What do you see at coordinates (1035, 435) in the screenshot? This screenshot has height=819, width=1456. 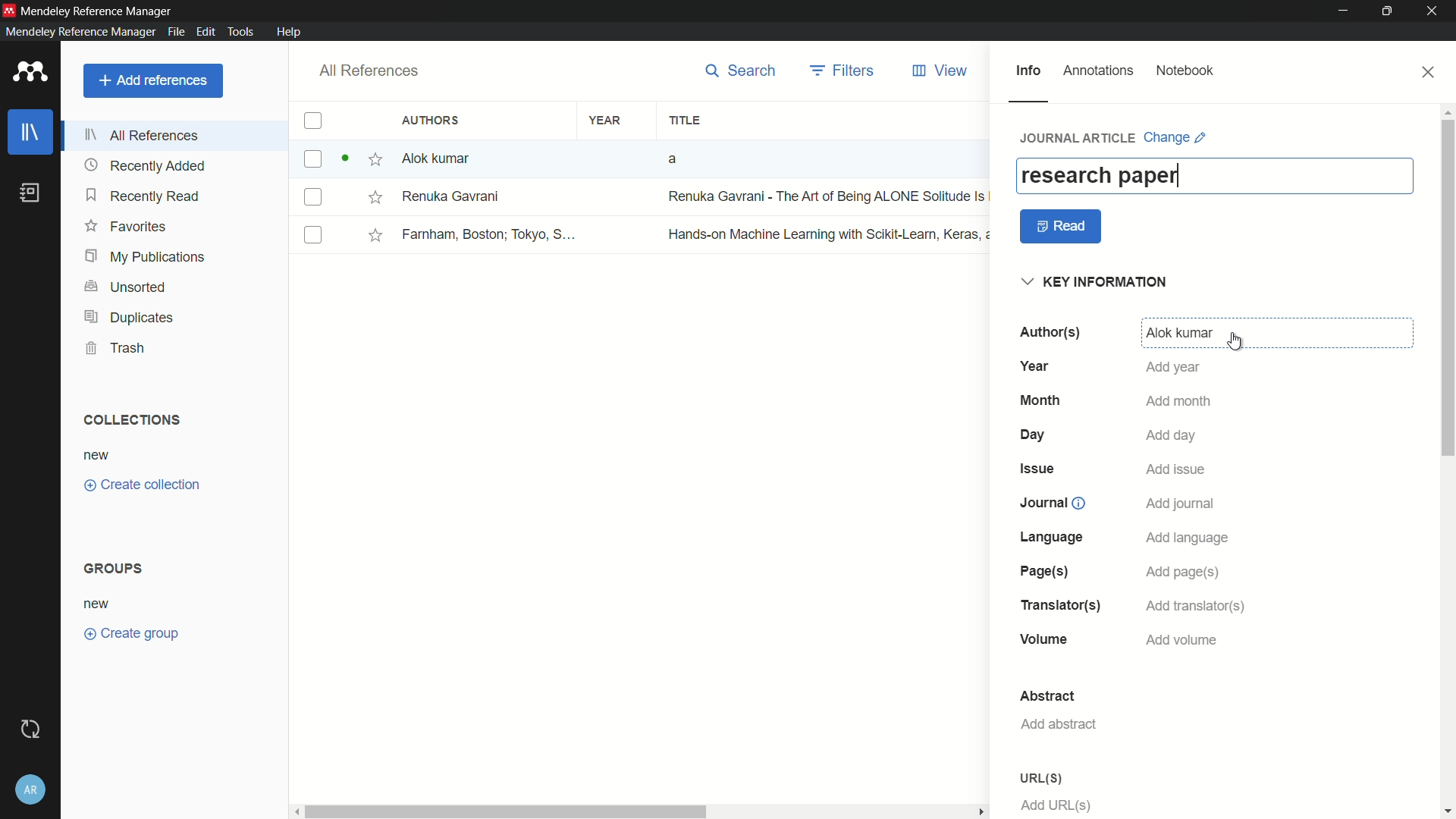 I see `day` at bounding box center [1035, 435].